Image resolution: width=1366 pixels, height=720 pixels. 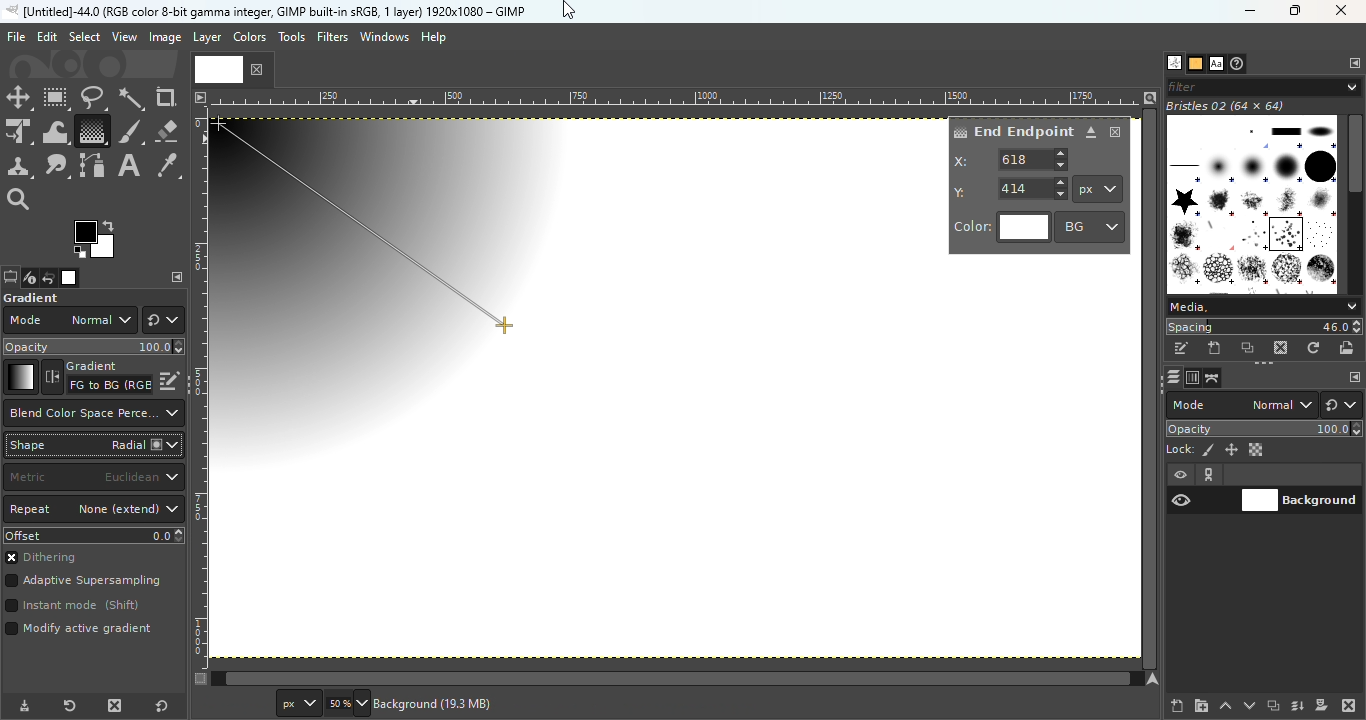 What do you see at coordinates (1300, 11) in the screenshot?
I see `Maximize` at bounding box center [1300, 11].